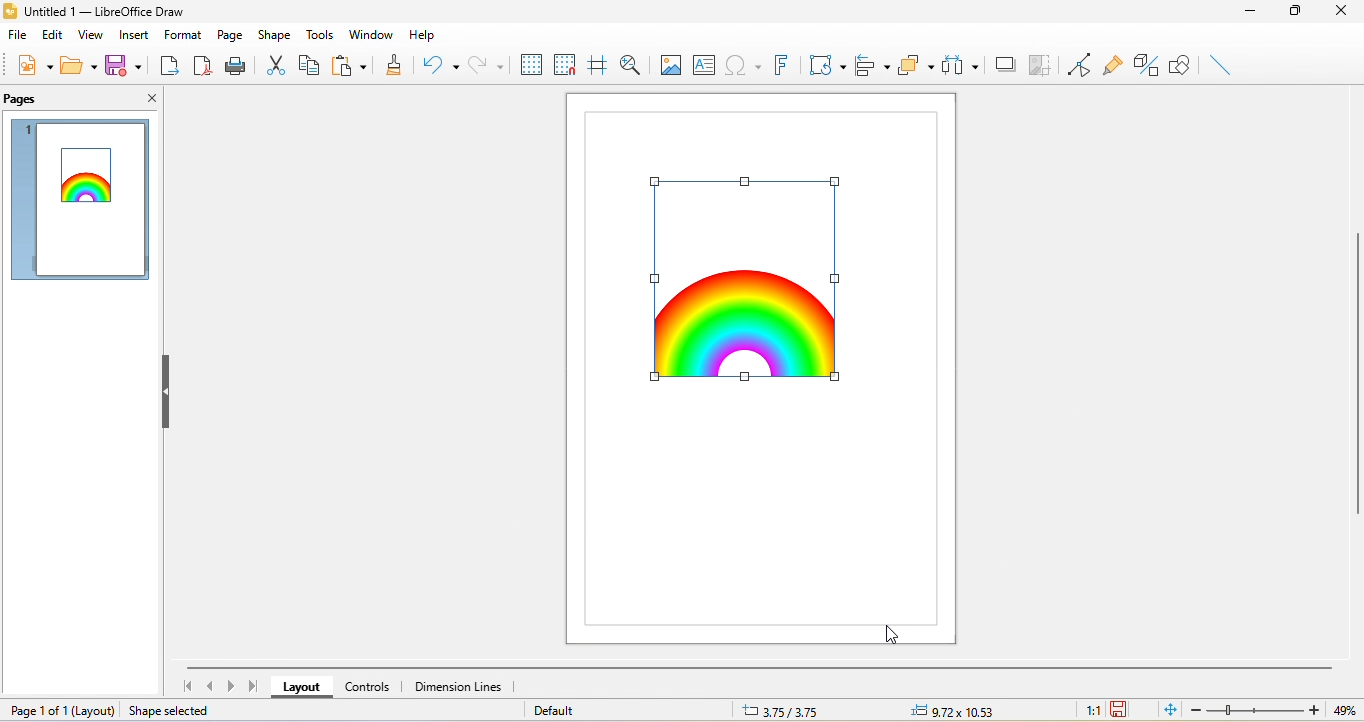 Image resolution: width=1364 pixels, height=722 pixels. Describe the element at coordinates (566, 65) in the screenshot. I see `snap to grids` at that location.